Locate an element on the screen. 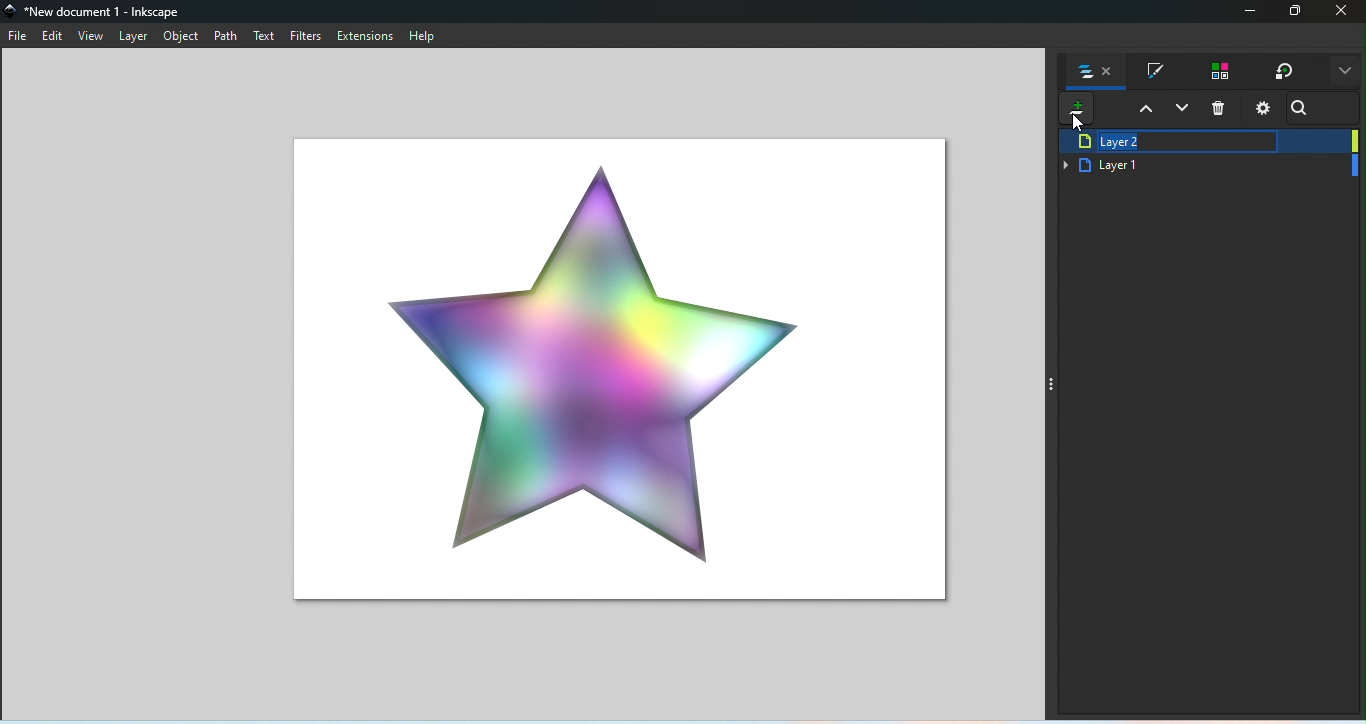 The image size is (1366, 724). Edit is located at coordinates (54, 38).